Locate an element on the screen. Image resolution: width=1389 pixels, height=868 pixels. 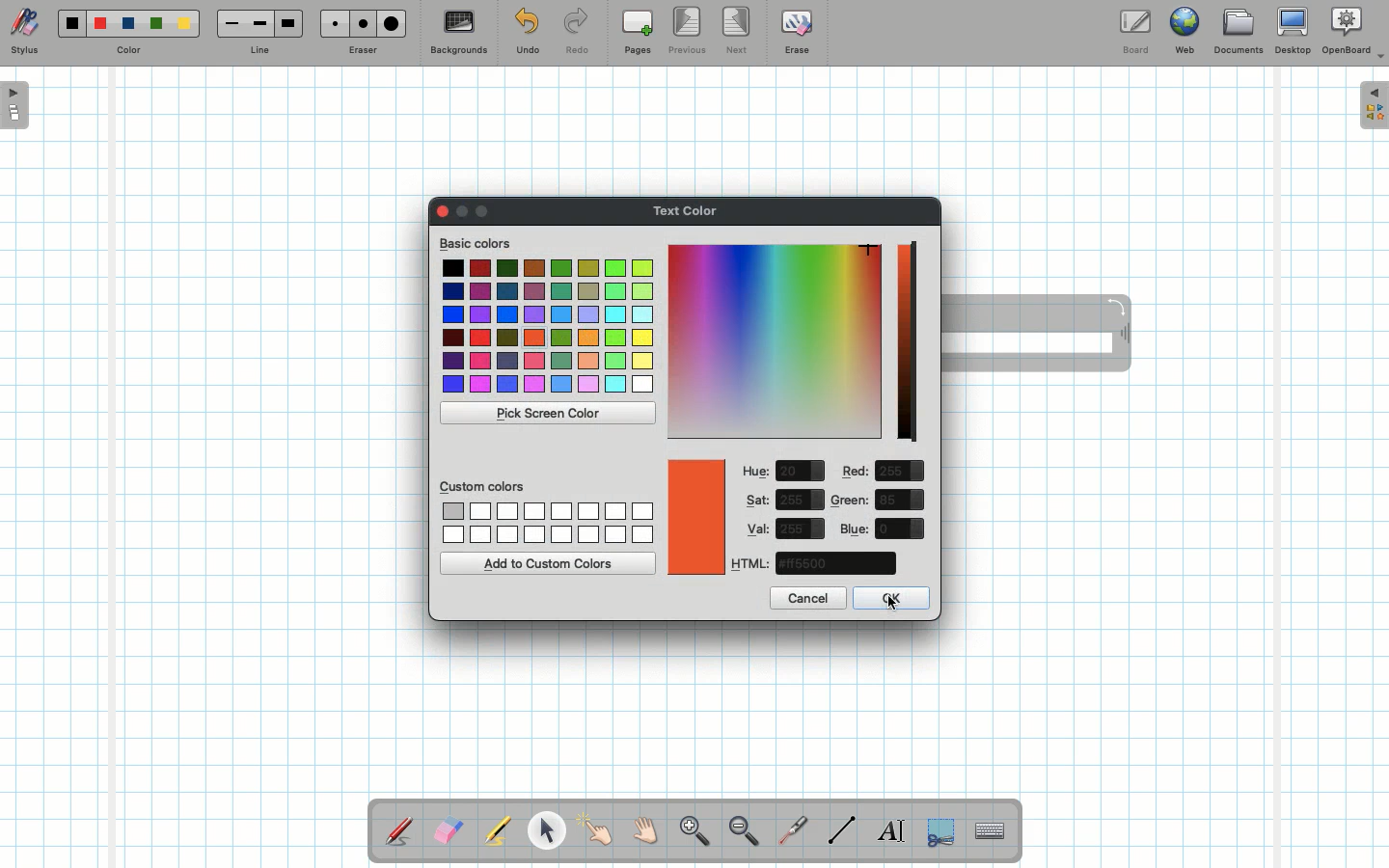
Cancel is located at coordinates (807, 598).